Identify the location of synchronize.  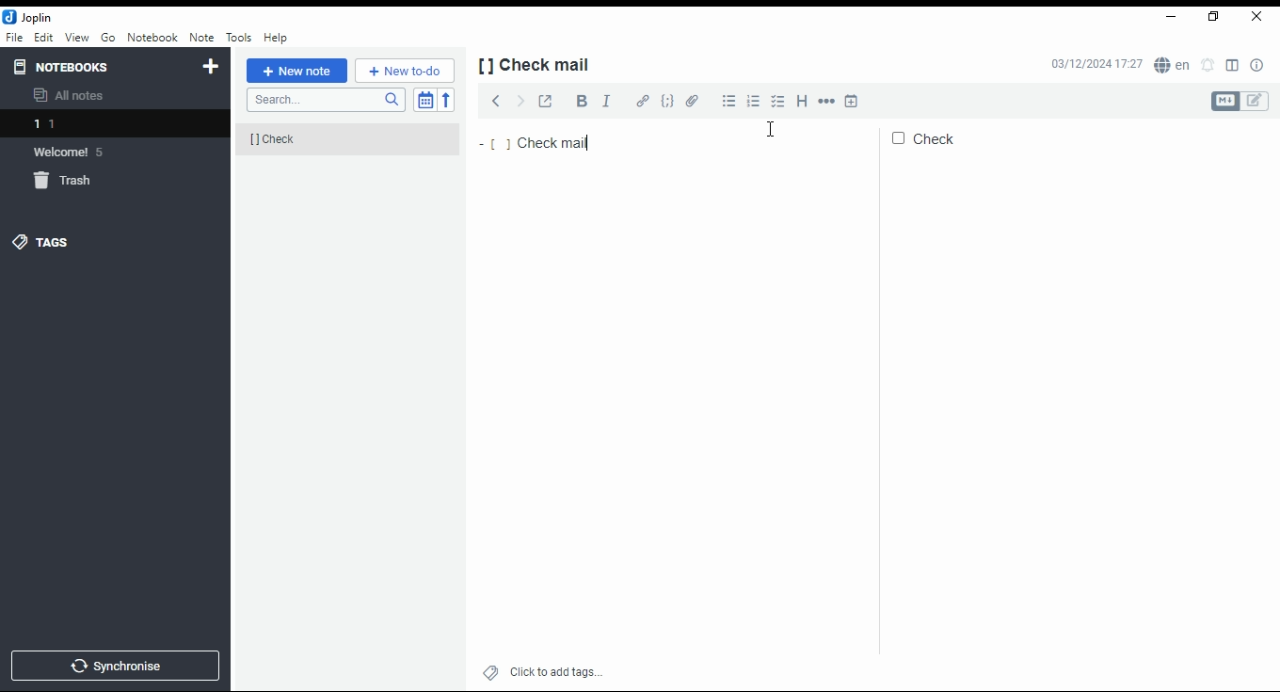
(116, 666).